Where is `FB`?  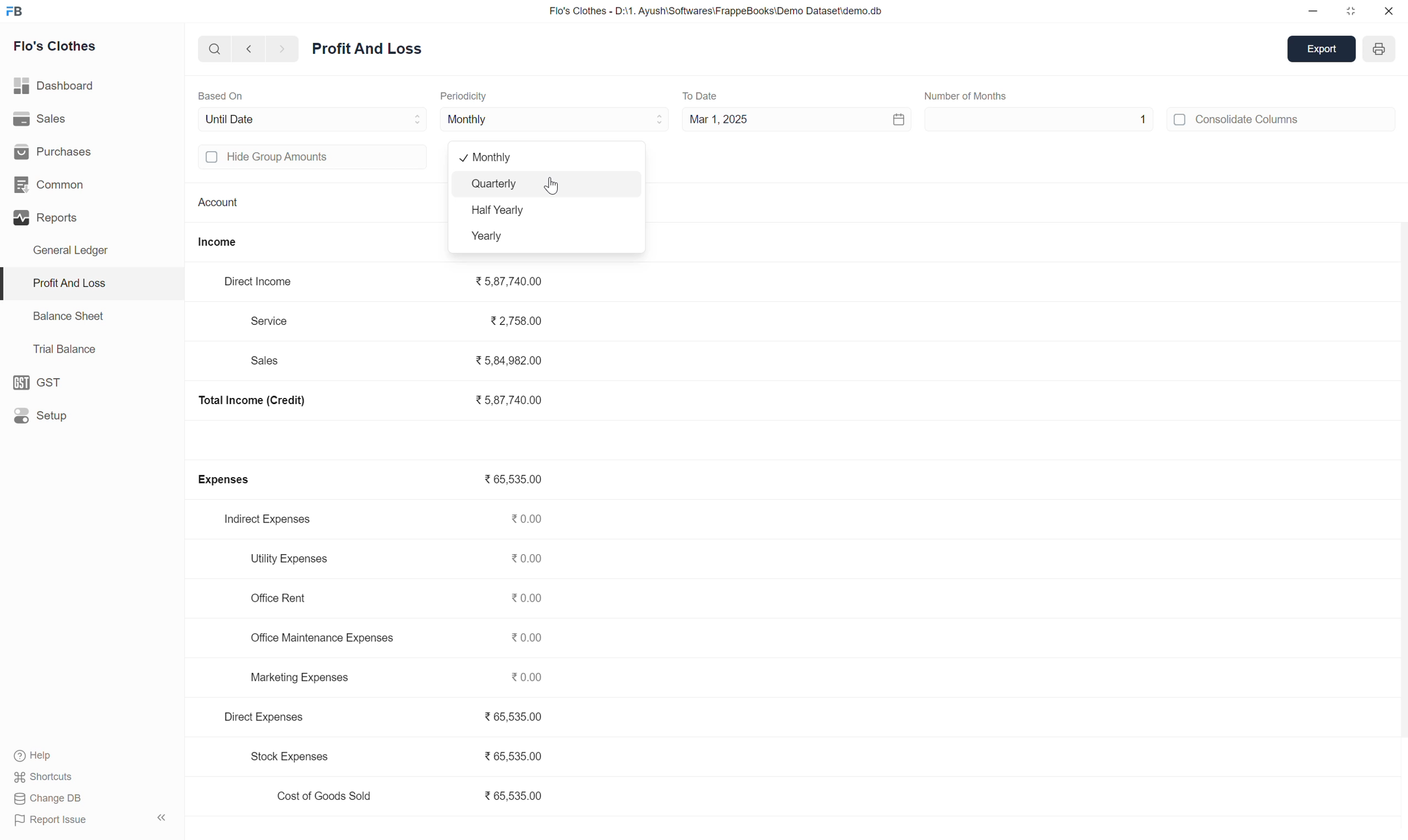
FB is located at coordinates (25, 12).